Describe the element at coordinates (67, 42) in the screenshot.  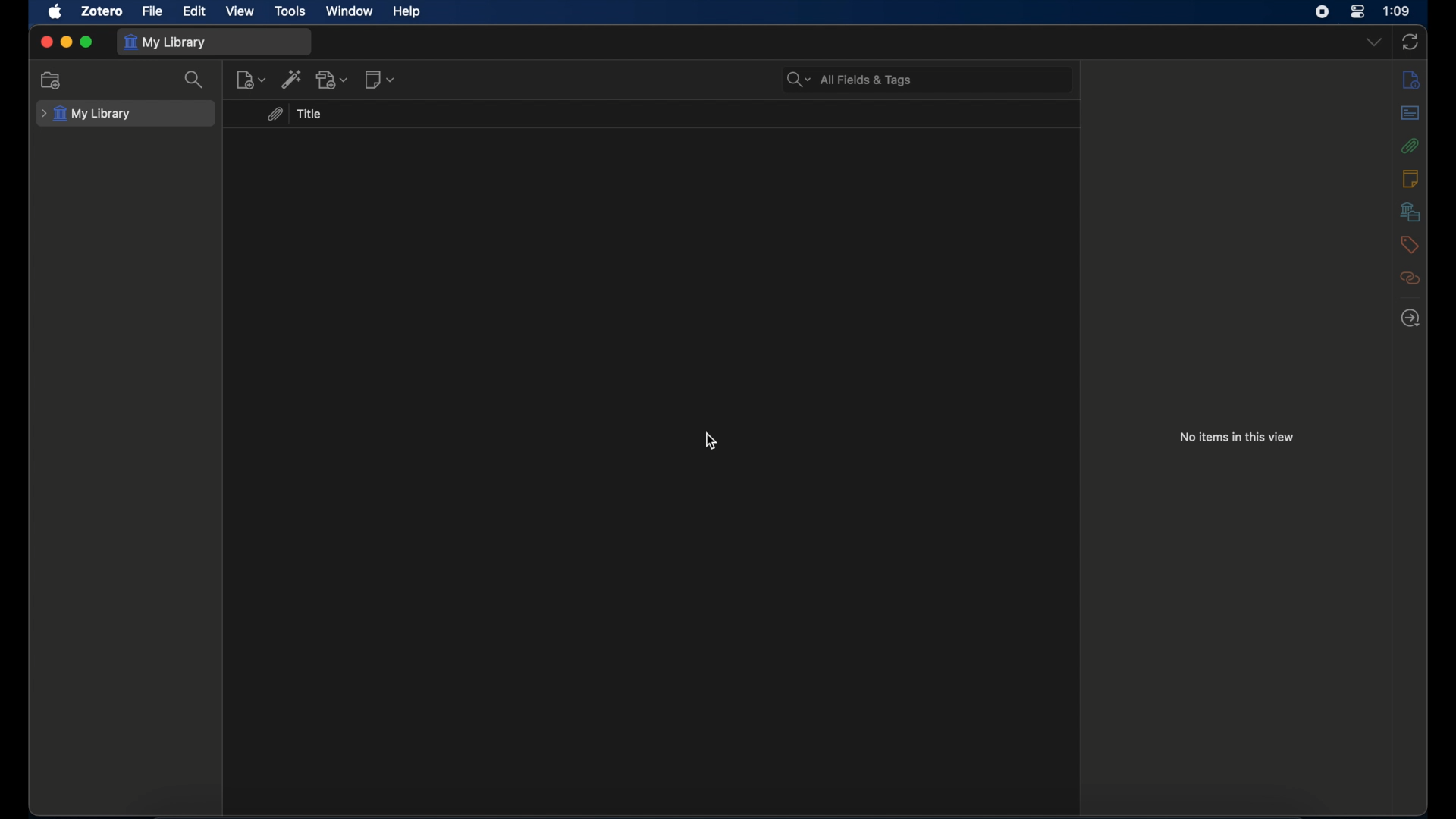
I see `minimize` at that location.